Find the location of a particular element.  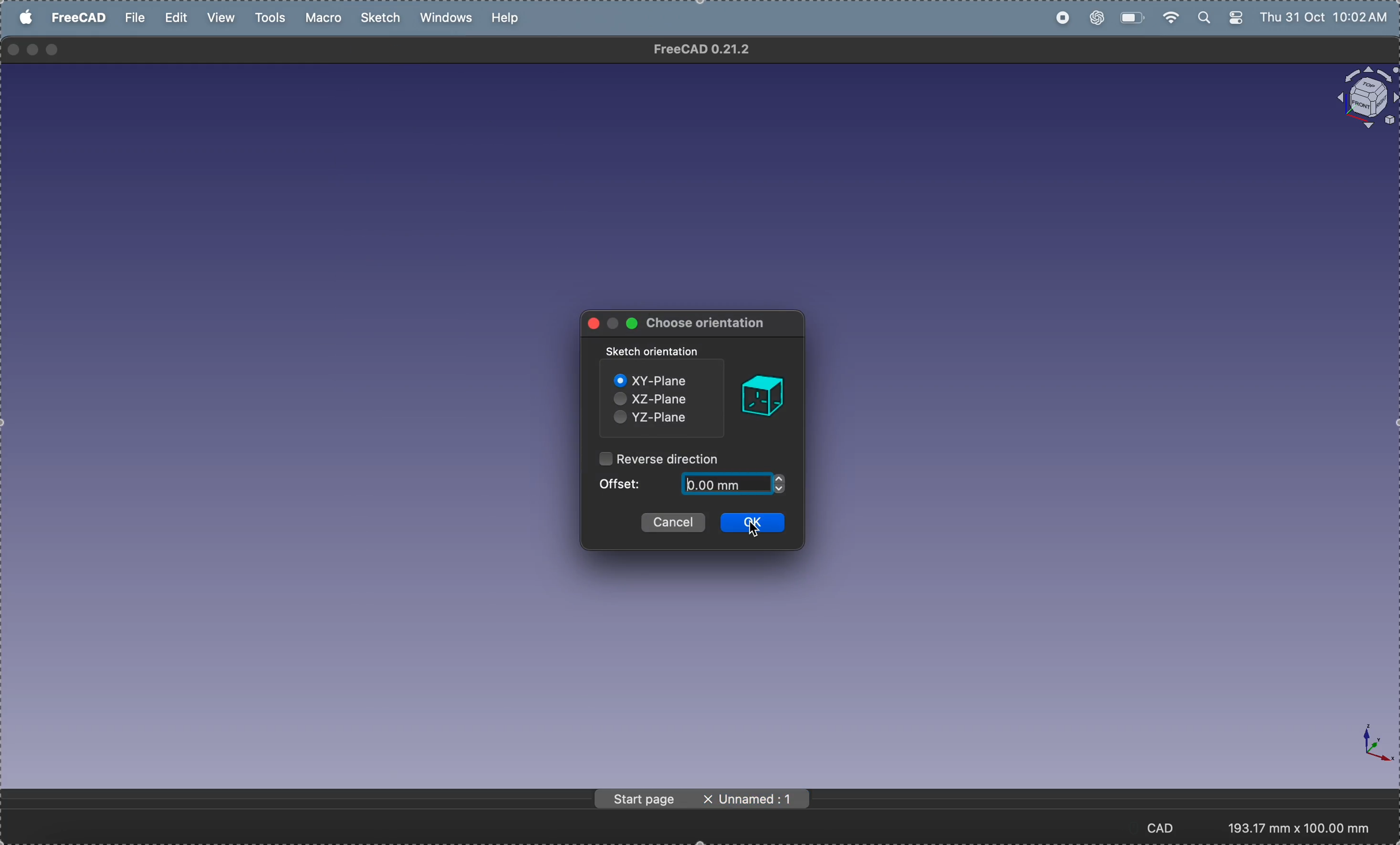

XY plane is located at coordinates (662, 379).